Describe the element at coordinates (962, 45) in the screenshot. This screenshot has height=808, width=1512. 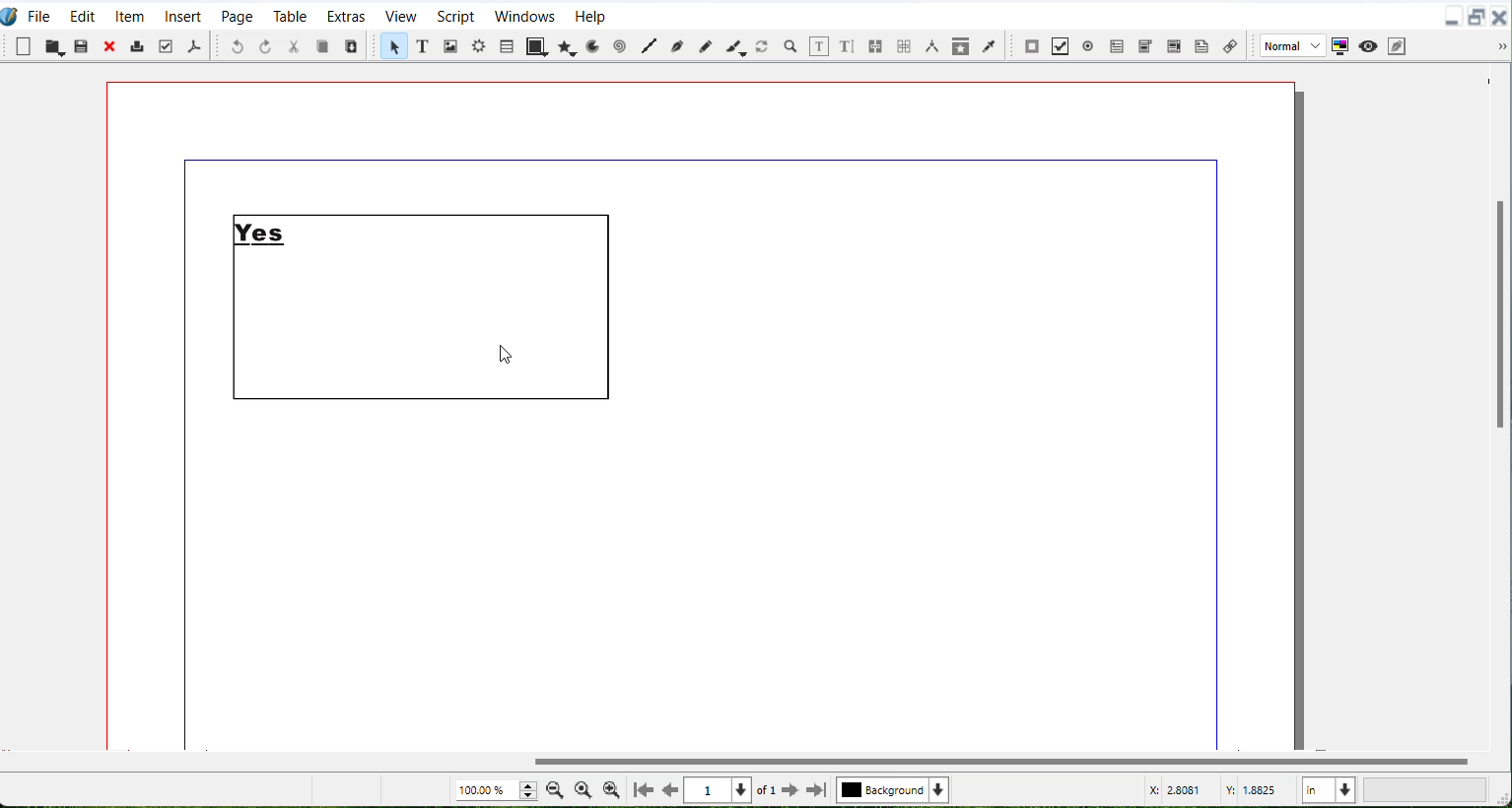
I see `Copy item Properties` at that location.